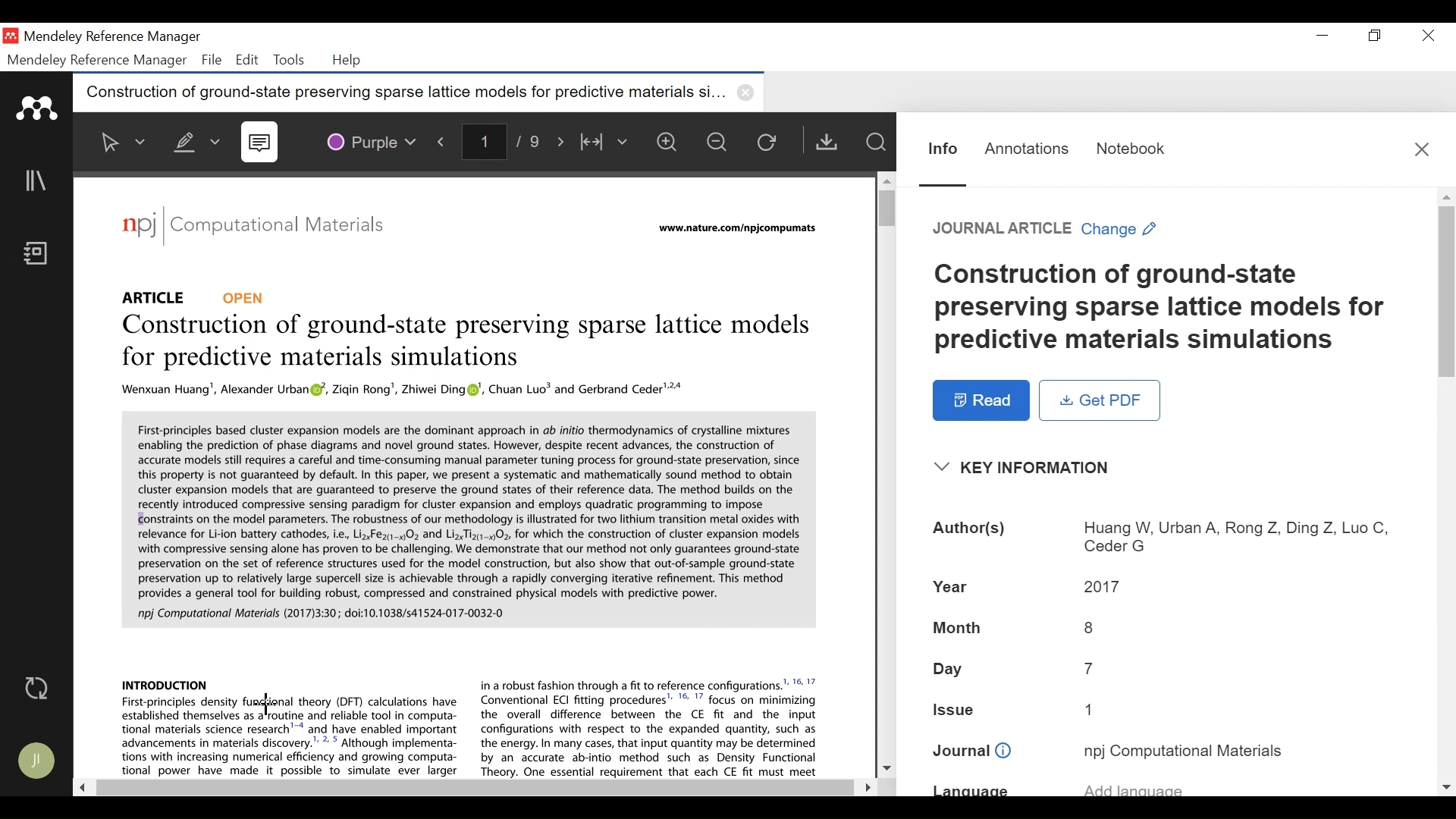 This screenshot has width=1456, height=819. I want to click on Zoom in, so click(670, 143).